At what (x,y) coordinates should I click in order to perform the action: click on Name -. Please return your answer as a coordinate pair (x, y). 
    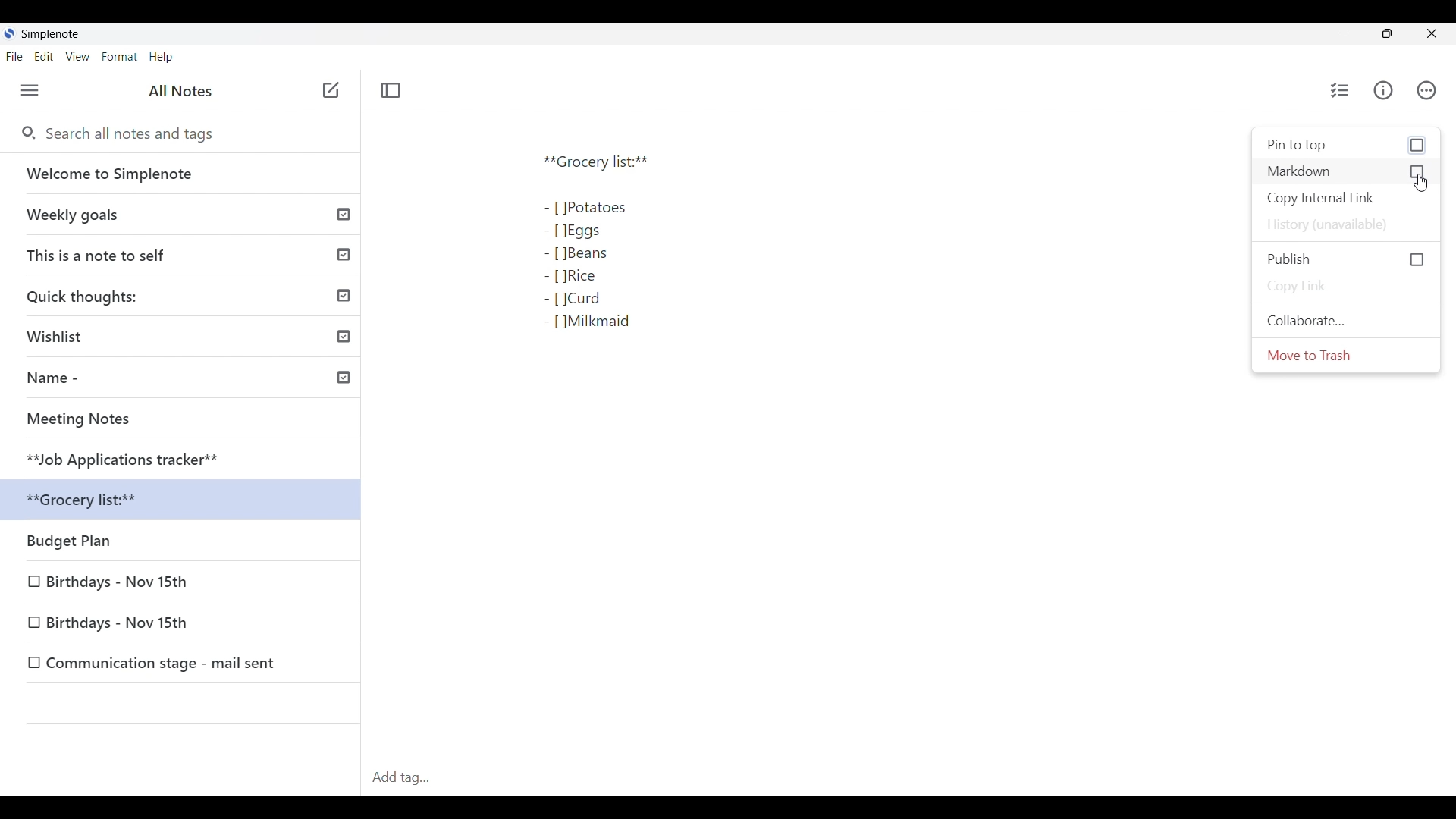
    Looking at the image, I should click on (187, 380).